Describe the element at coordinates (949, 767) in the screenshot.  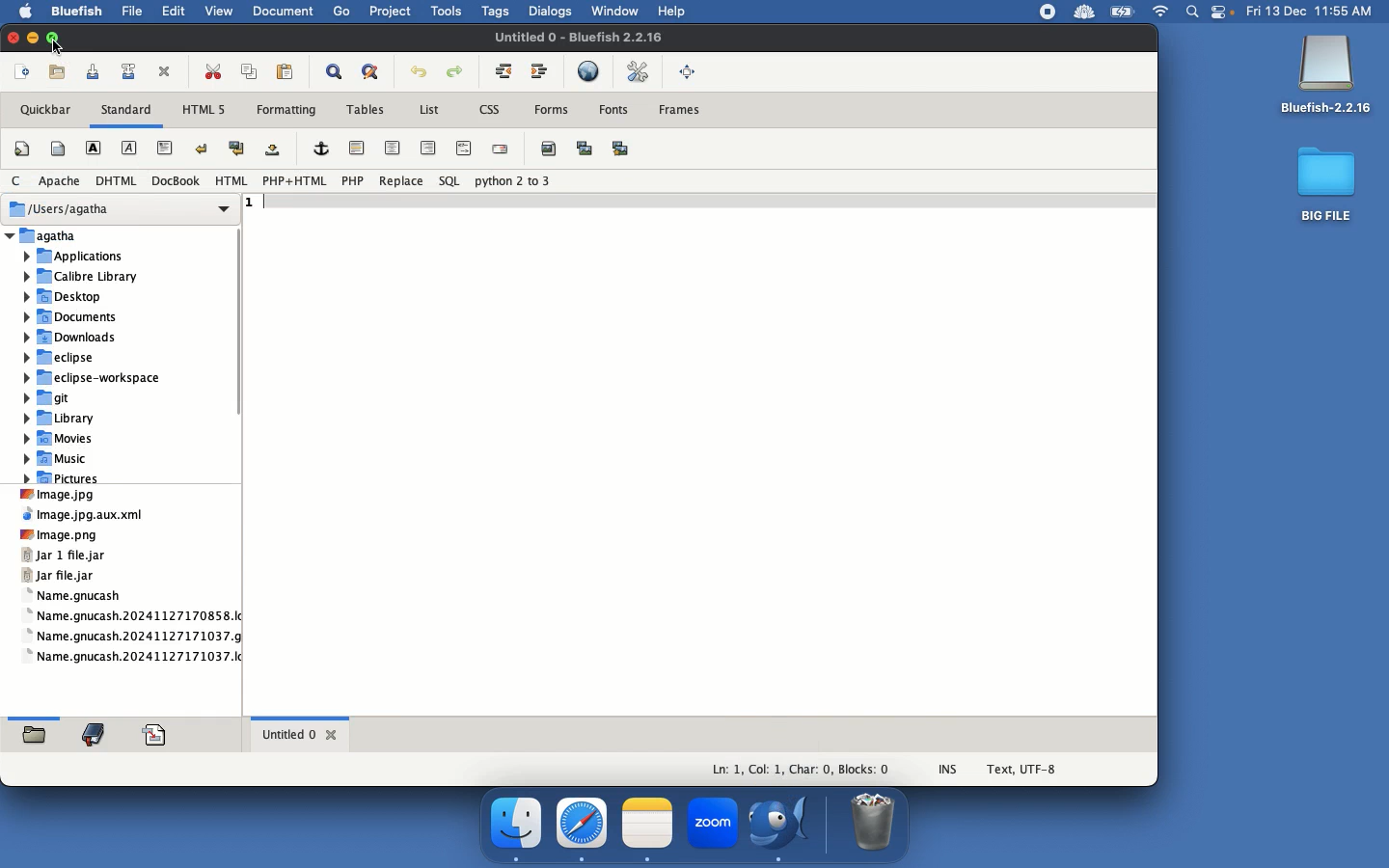
I see `INS` at that location.